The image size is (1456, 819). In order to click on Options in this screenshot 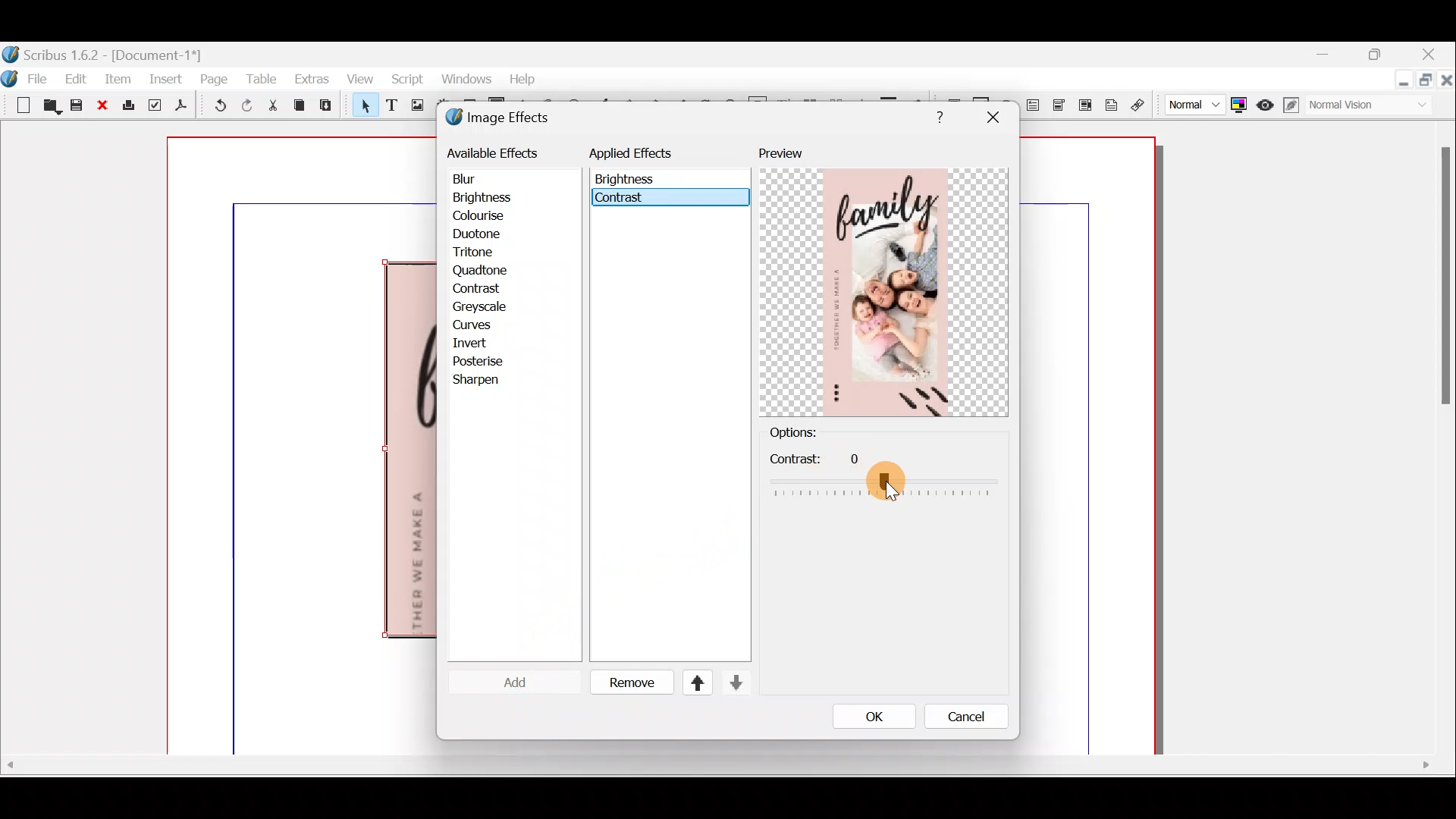, I will do `click(818, 433)`.